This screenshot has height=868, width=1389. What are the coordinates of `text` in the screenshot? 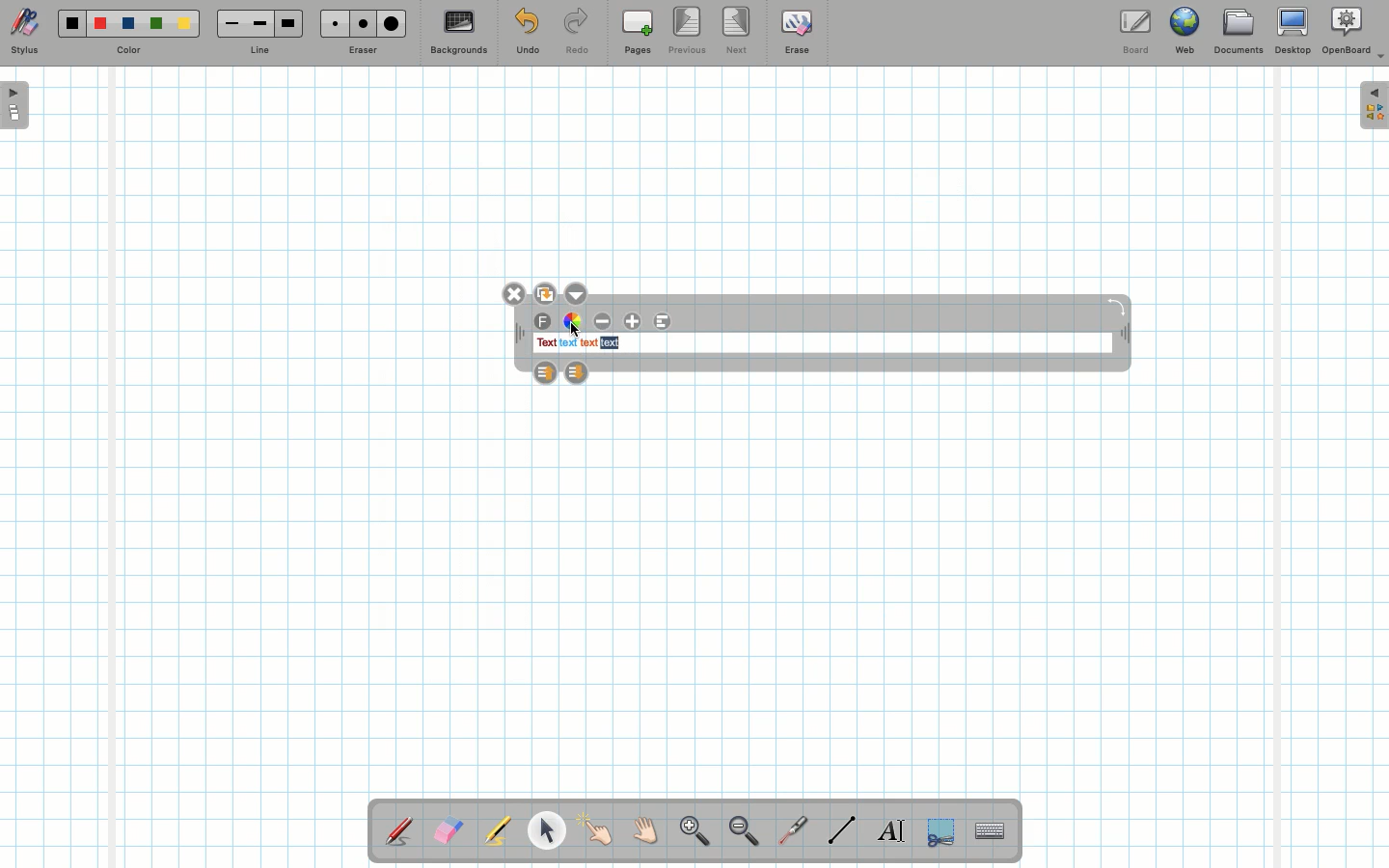 It's located at (611, 343).